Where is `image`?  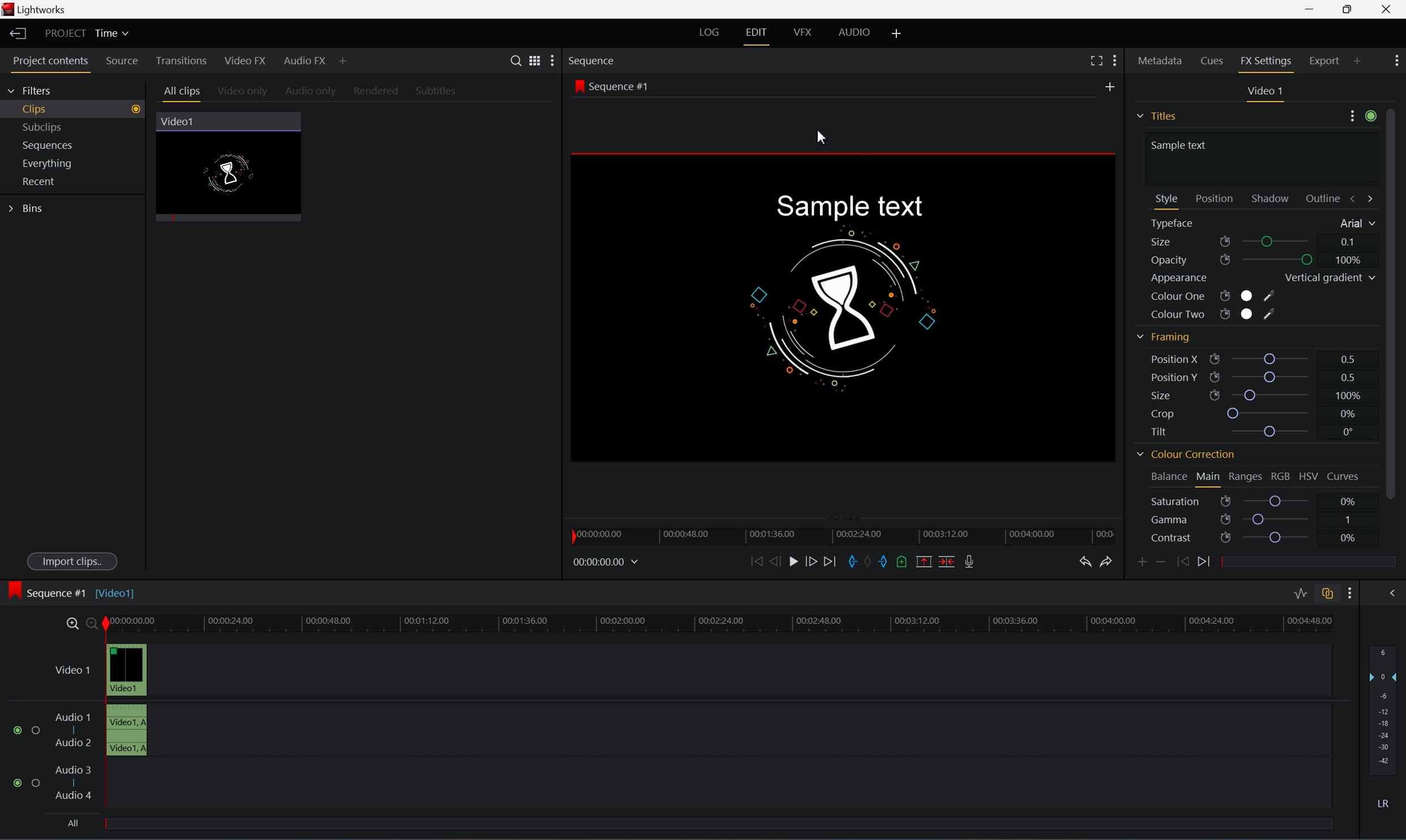 image is located at coordinates (847, 307).